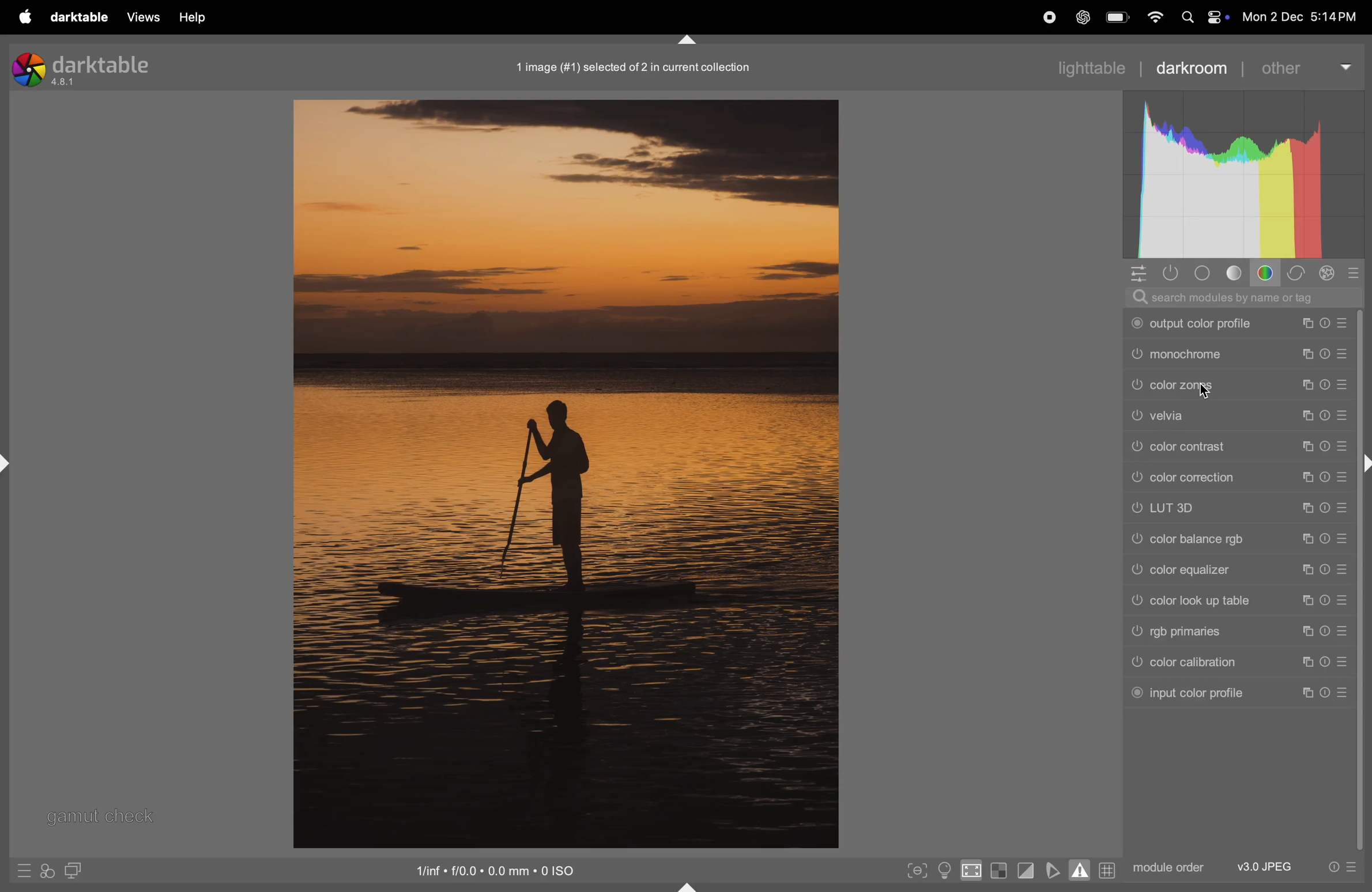 This screenshot has width=1372, height=892. What do you see at coordinates (1342, 662) in the screenshot?
I see `preset` at bounding box center [1342, 662].